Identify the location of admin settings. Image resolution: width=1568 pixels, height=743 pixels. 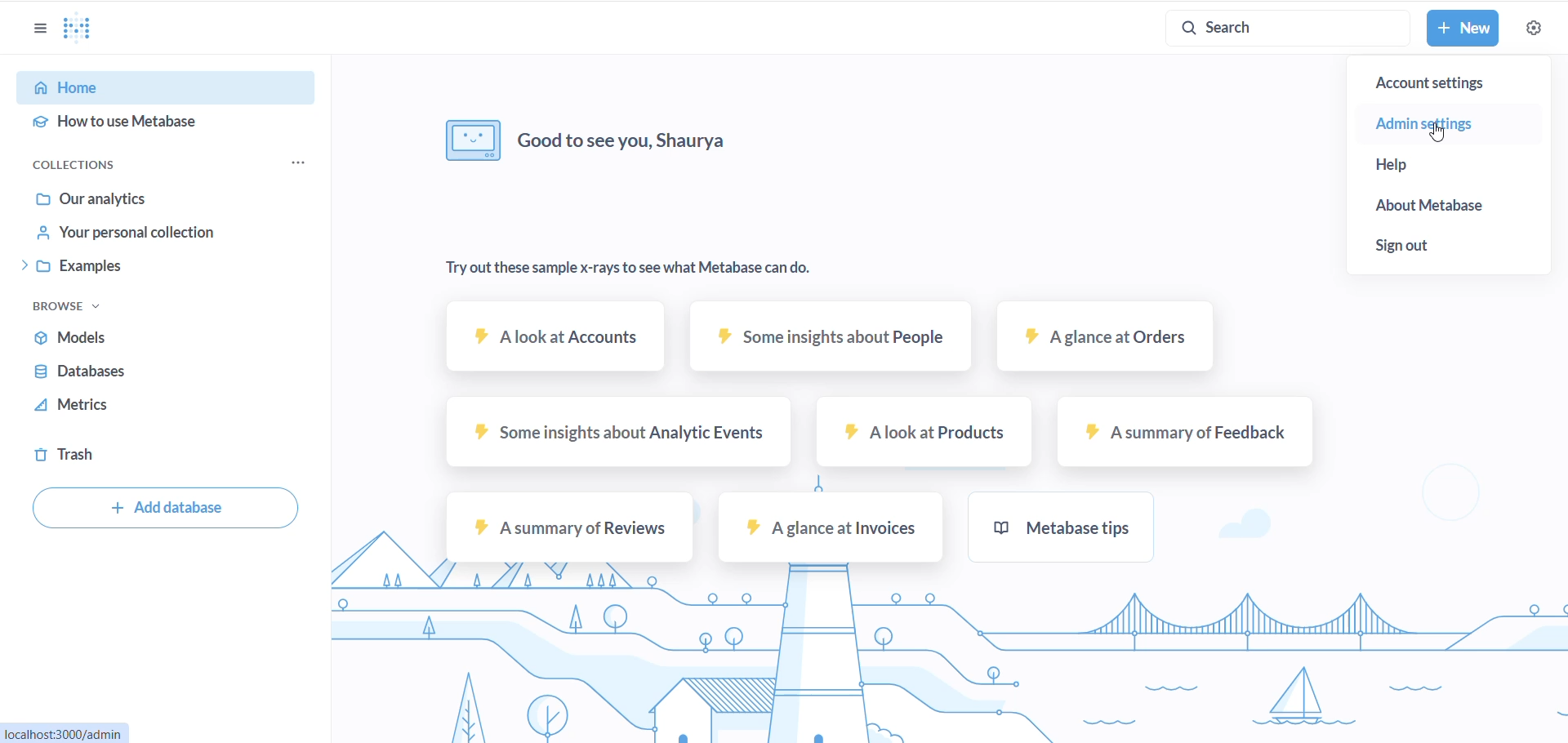
(1446, 123).